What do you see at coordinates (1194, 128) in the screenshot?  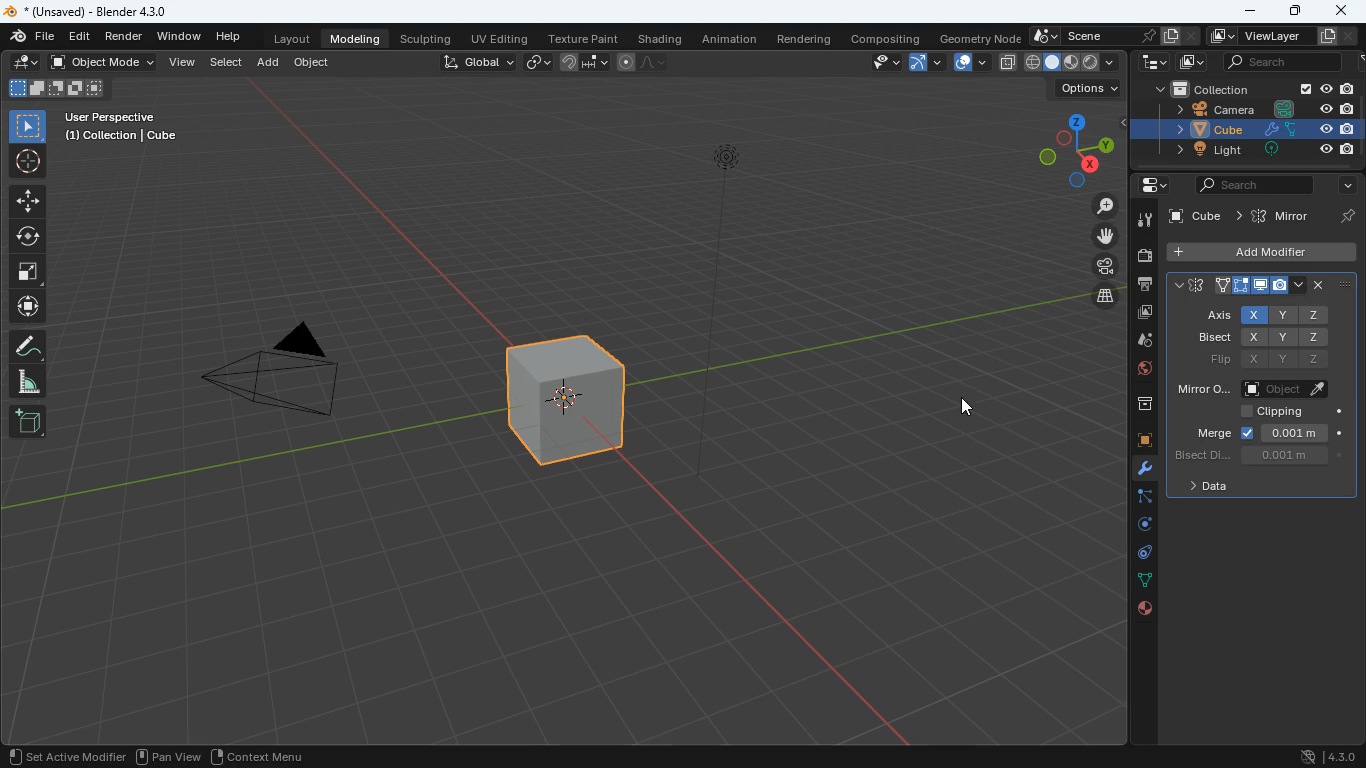 I see `cube` at bounding box center [1194, 128].